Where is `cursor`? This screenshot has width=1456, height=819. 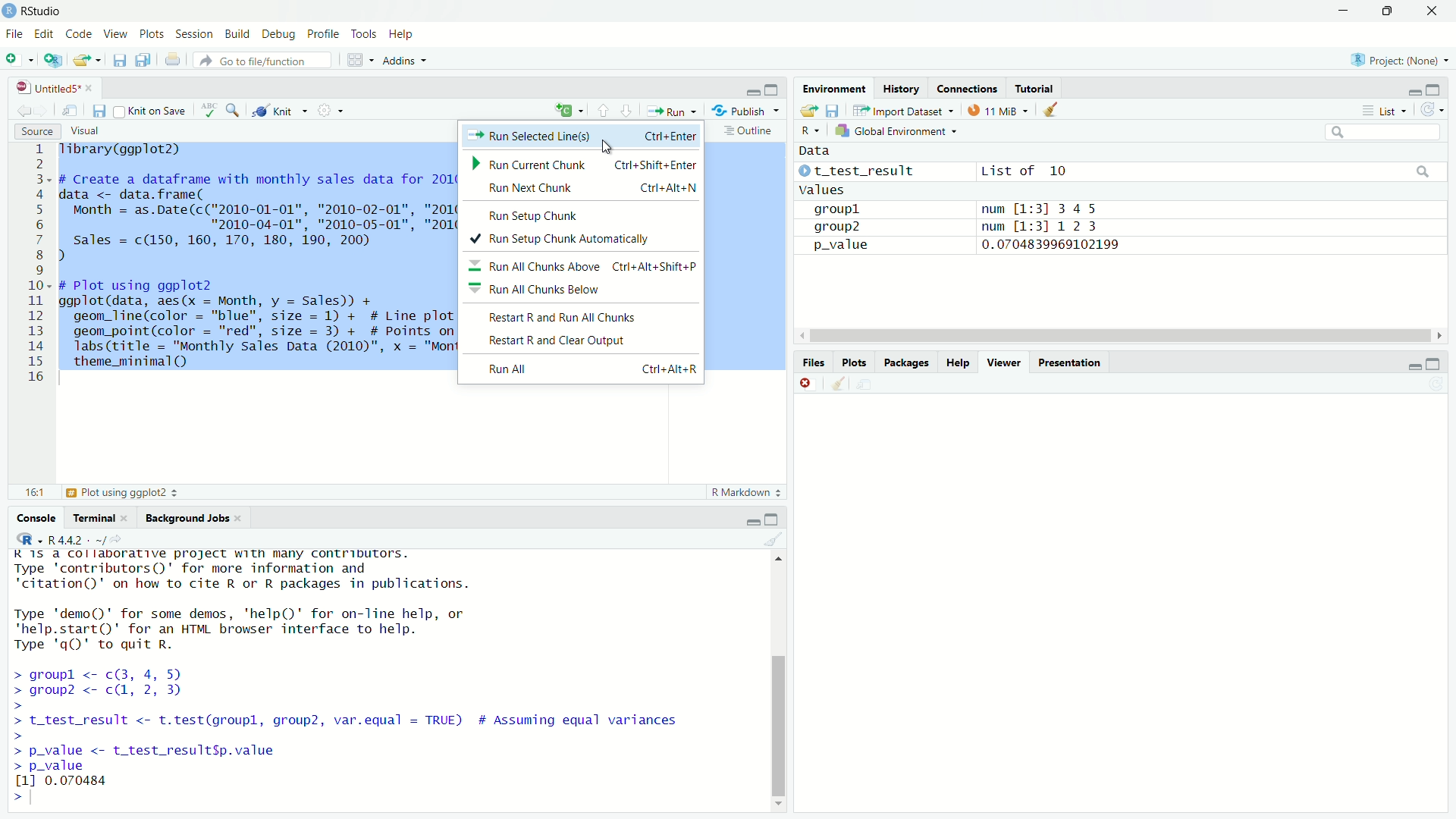 cursor is located at coordinates (614, 145).